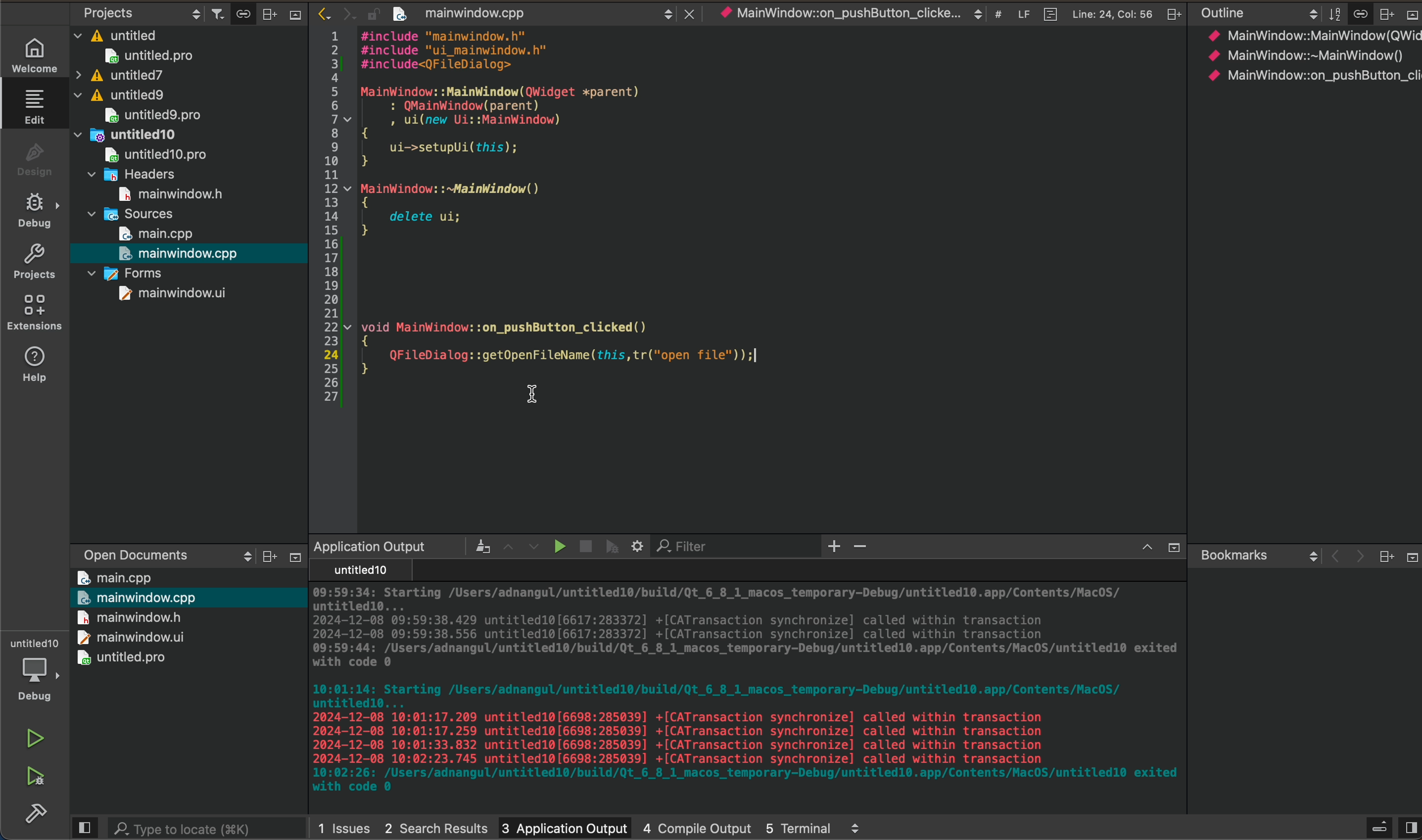 This screenshot has width=1422, height=840. Describe the element at coordinates (240, 14) in the screenshot. I see `copy` at that location.